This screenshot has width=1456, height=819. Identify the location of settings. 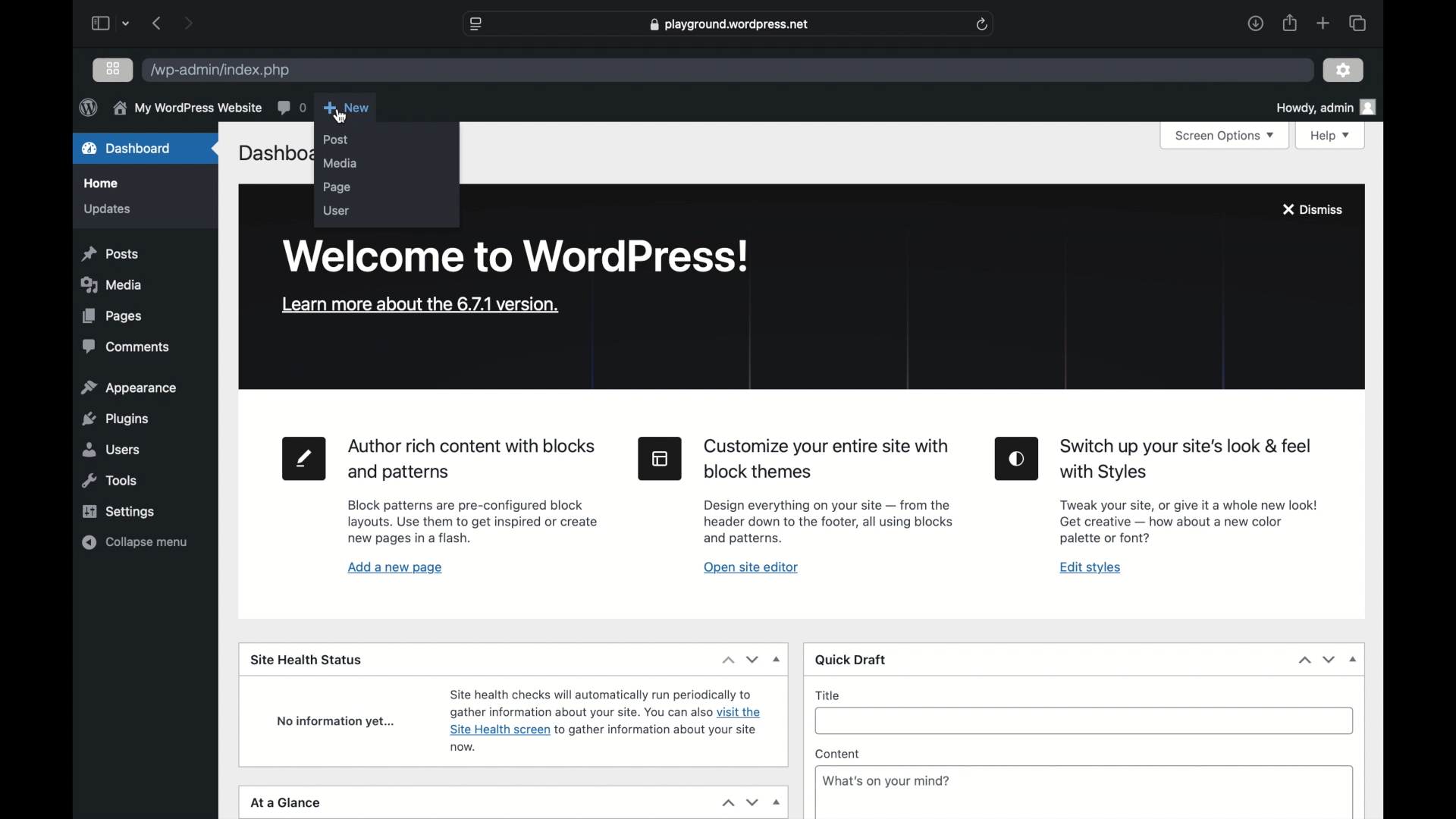
(118, 513).